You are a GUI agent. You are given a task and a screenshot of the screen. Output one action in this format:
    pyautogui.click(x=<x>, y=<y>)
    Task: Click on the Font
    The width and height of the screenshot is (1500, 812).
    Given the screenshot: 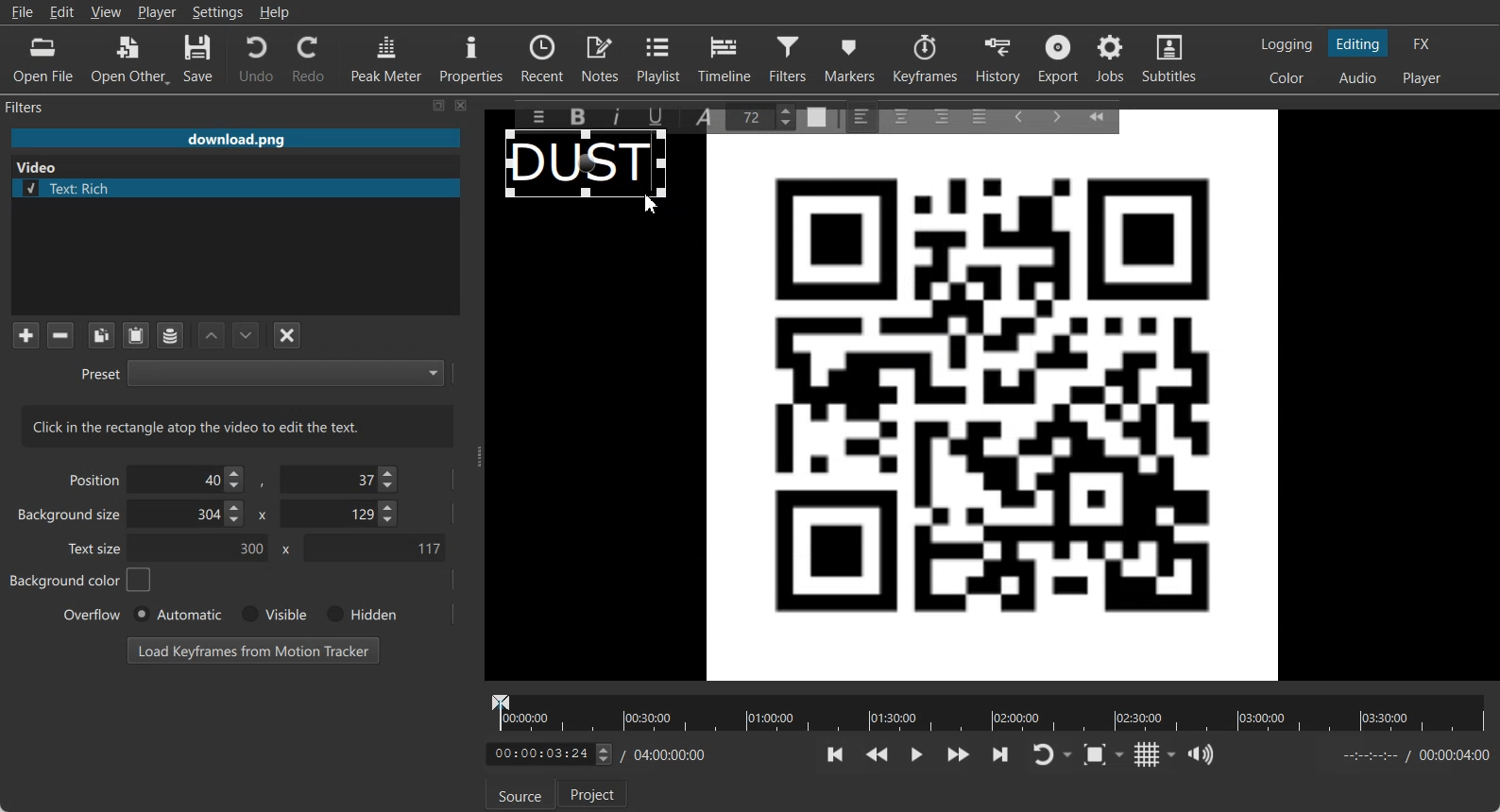 What is the action you would take?
    pyautogui.click(x=707, y=115)
    